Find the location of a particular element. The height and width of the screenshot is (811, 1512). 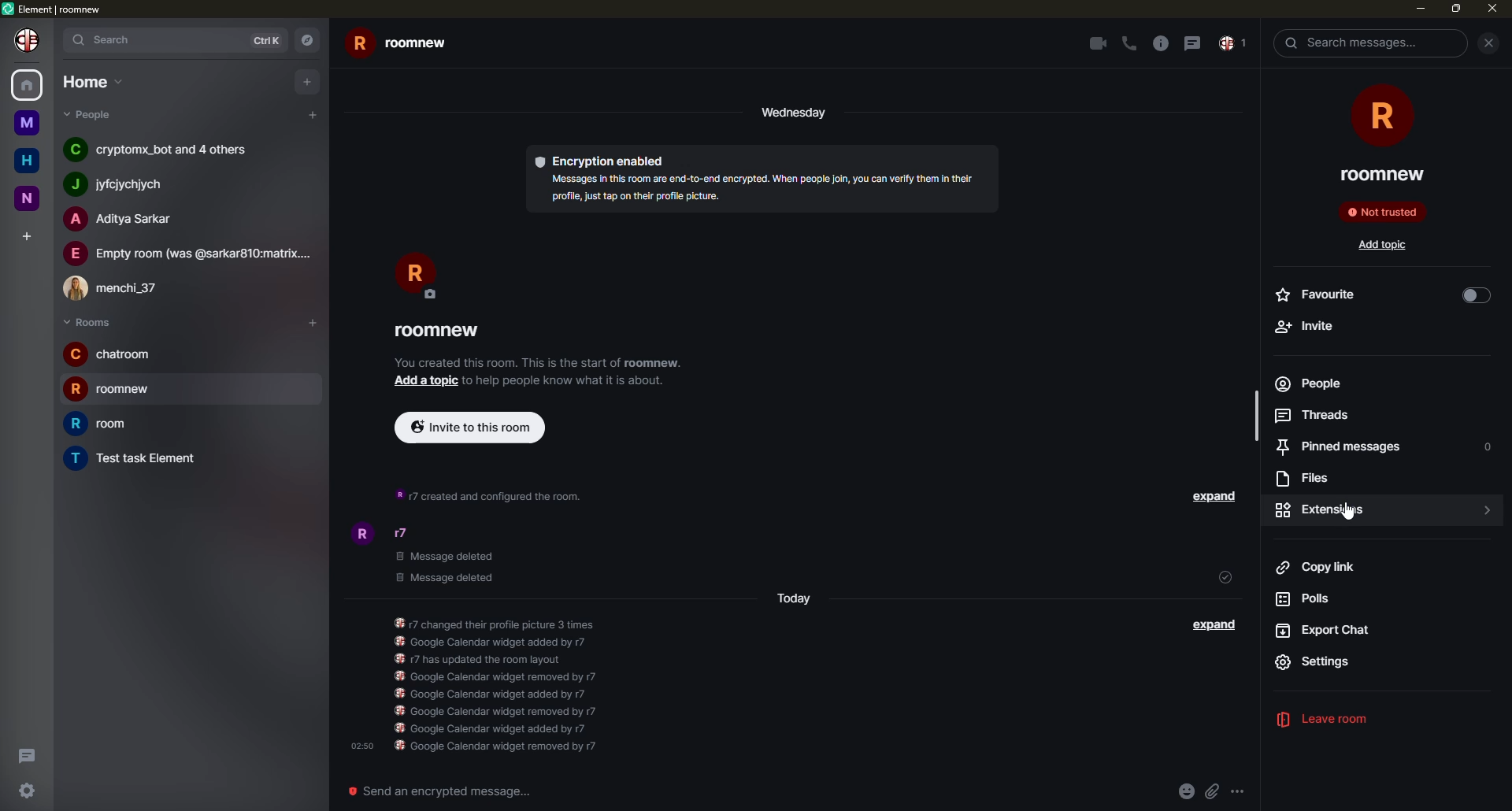

min is located at coordinates (1415, 9).